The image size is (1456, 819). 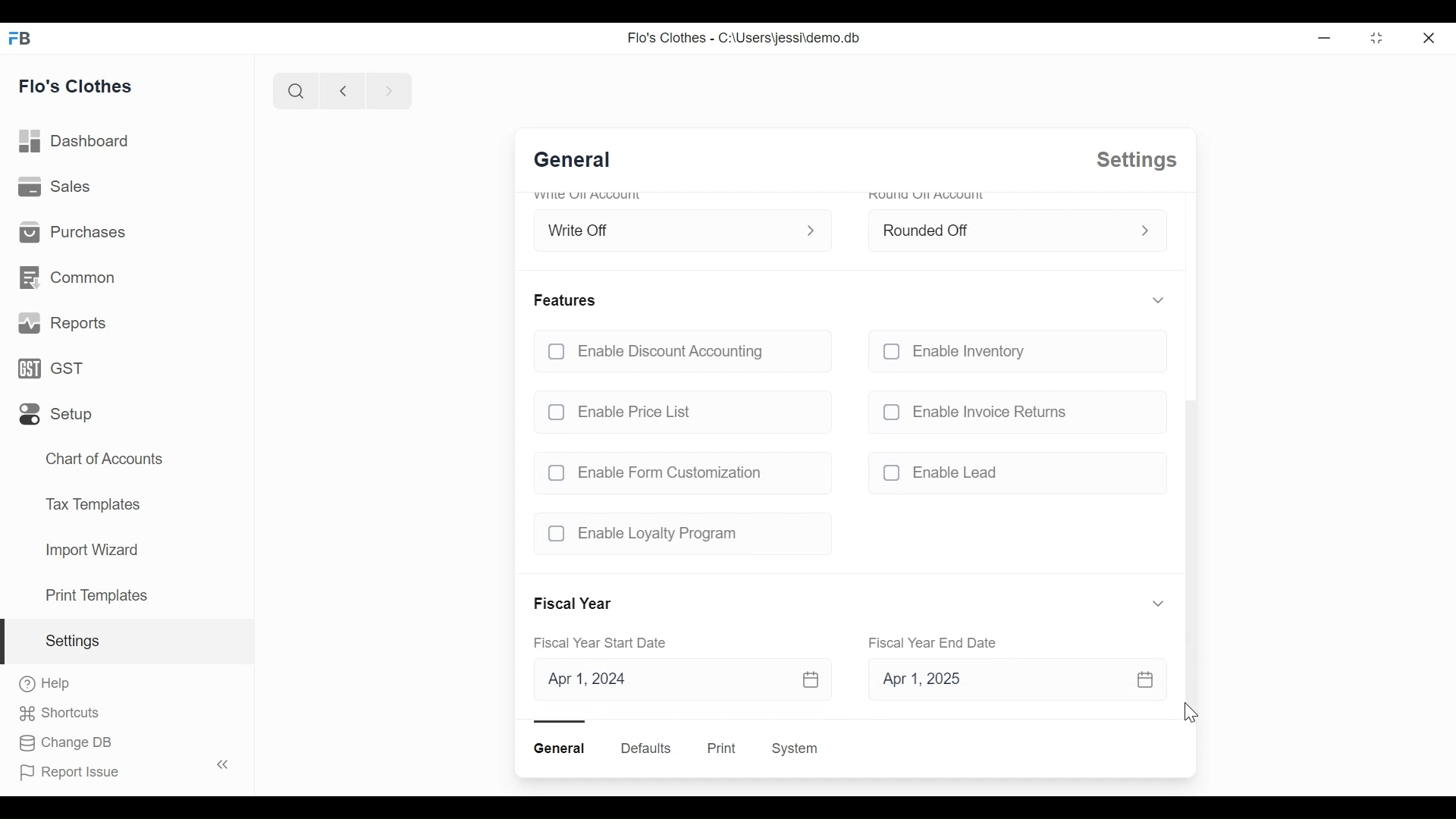 I want to click on Sales, so click(x=55, y=187).